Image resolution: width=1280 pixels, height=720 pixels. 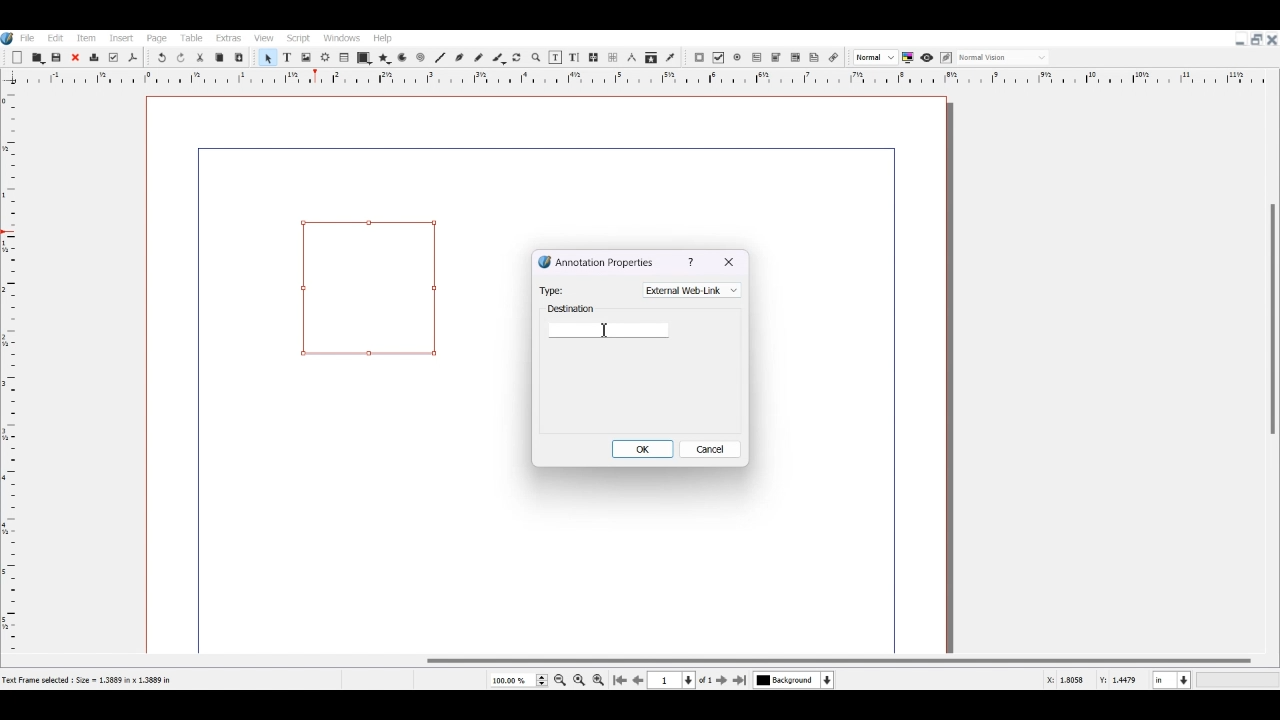 What do you see at coordinates (874, 57) in the screenshot?
I see `Select the image preview quality` at bounding box center [874, 57].